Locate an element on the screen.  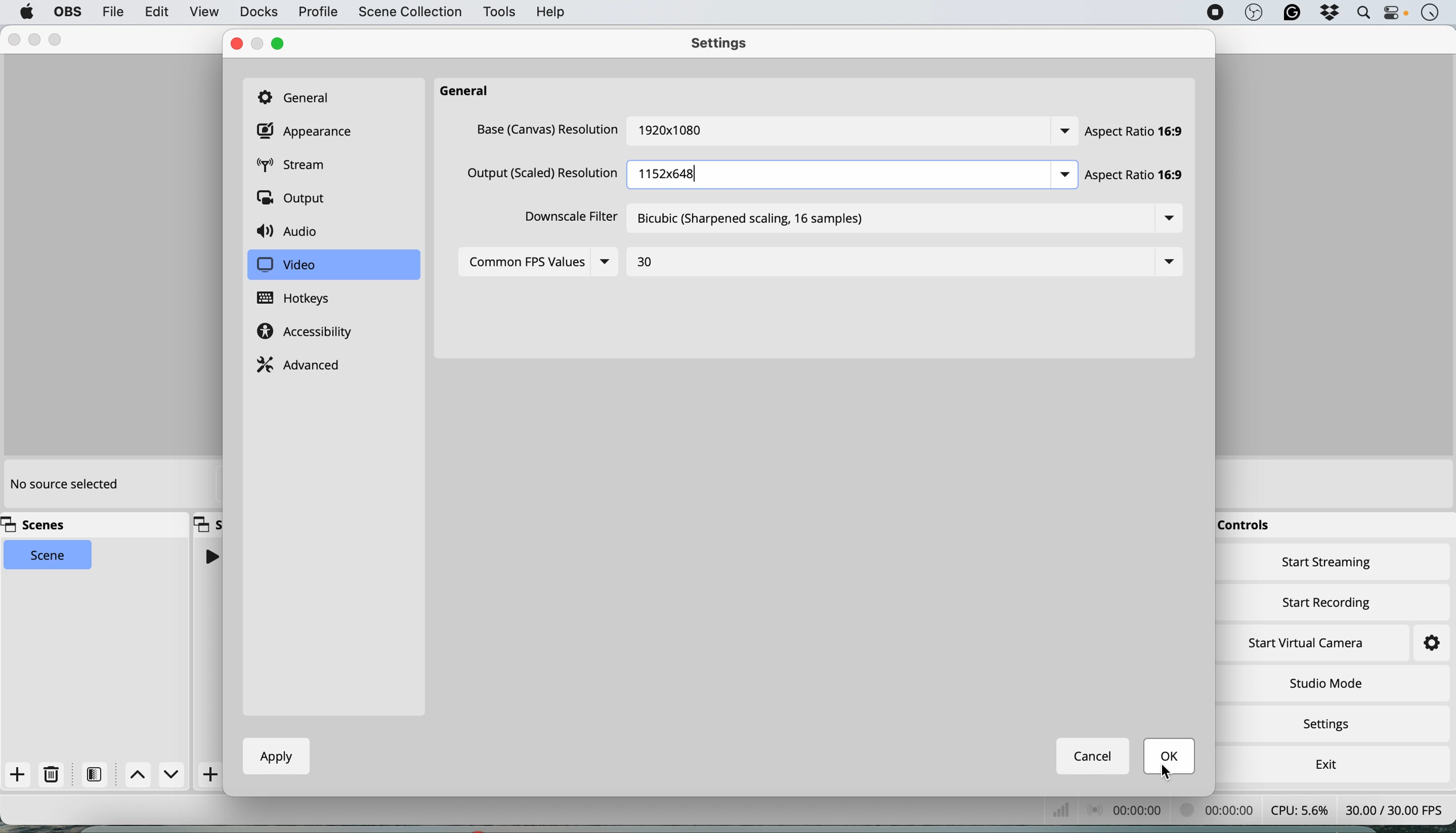
Play  is located at coordinates (210, 556).